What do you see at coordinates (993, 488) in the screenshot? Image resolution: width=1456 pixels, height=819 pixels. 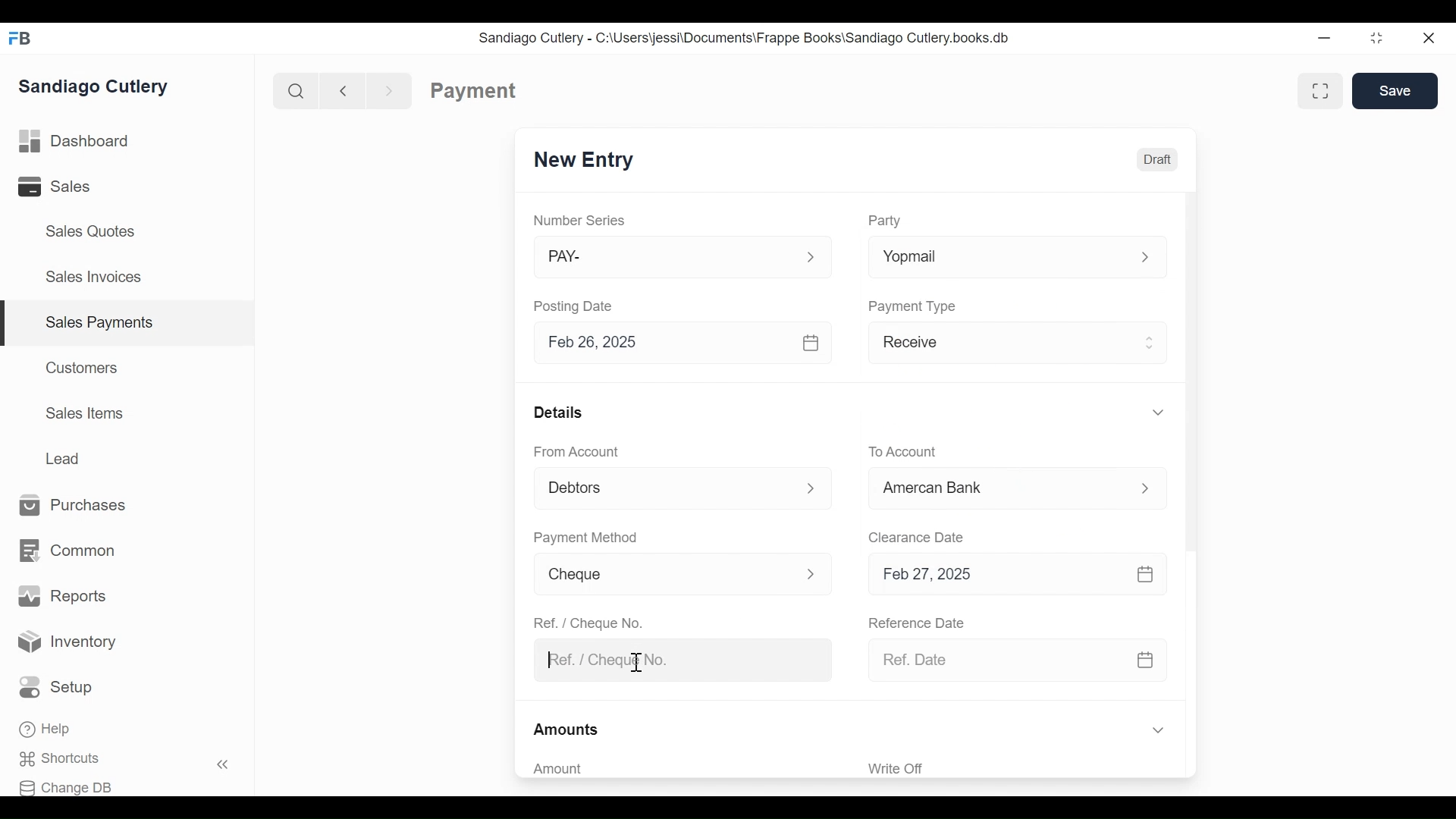 I see `Cash` at bounding box center [993, 488].